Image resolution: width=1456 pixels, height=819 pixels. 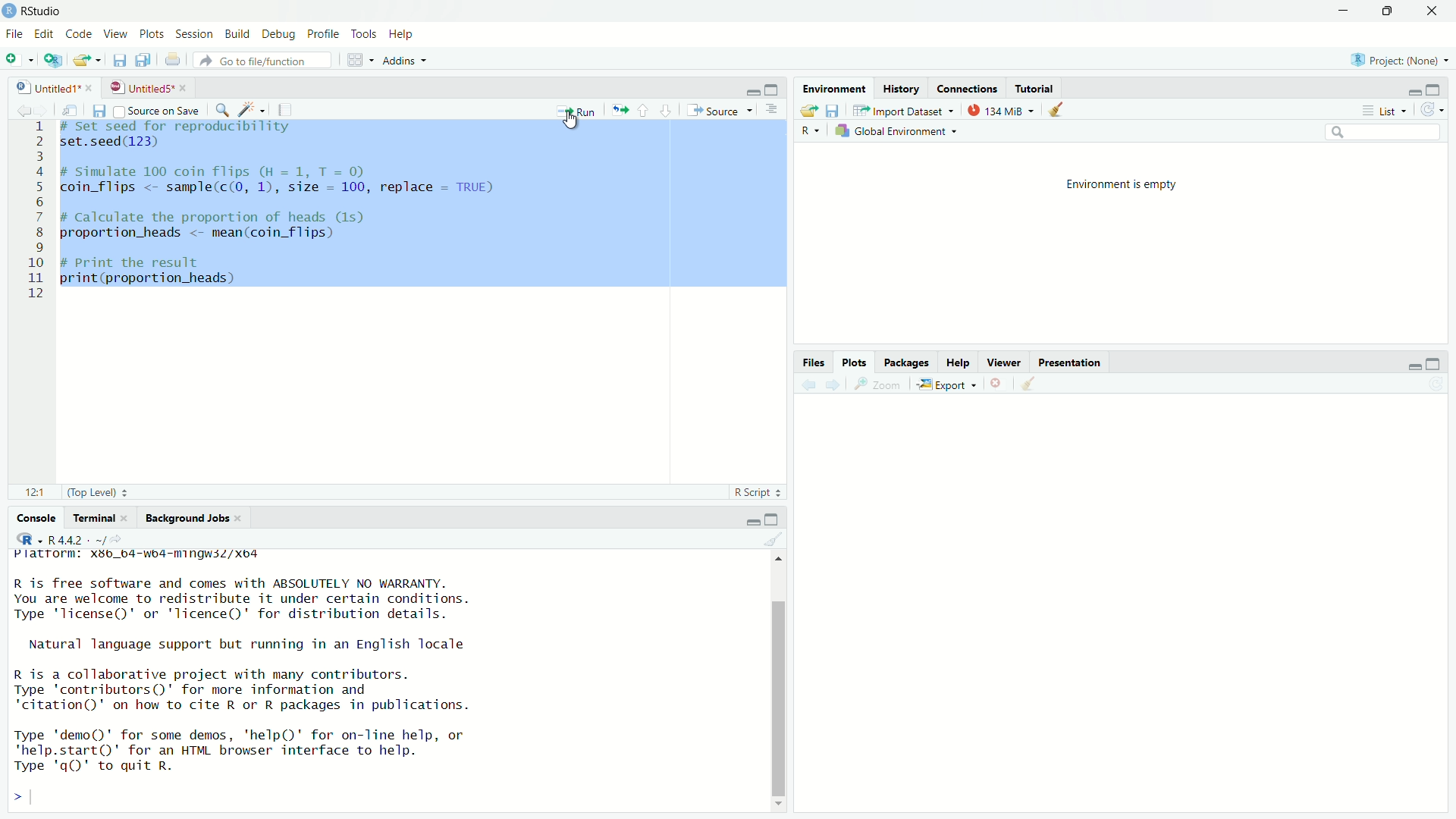 I want to click on # Calculate the proportion of heads (1s), so click(x=232, y=218).